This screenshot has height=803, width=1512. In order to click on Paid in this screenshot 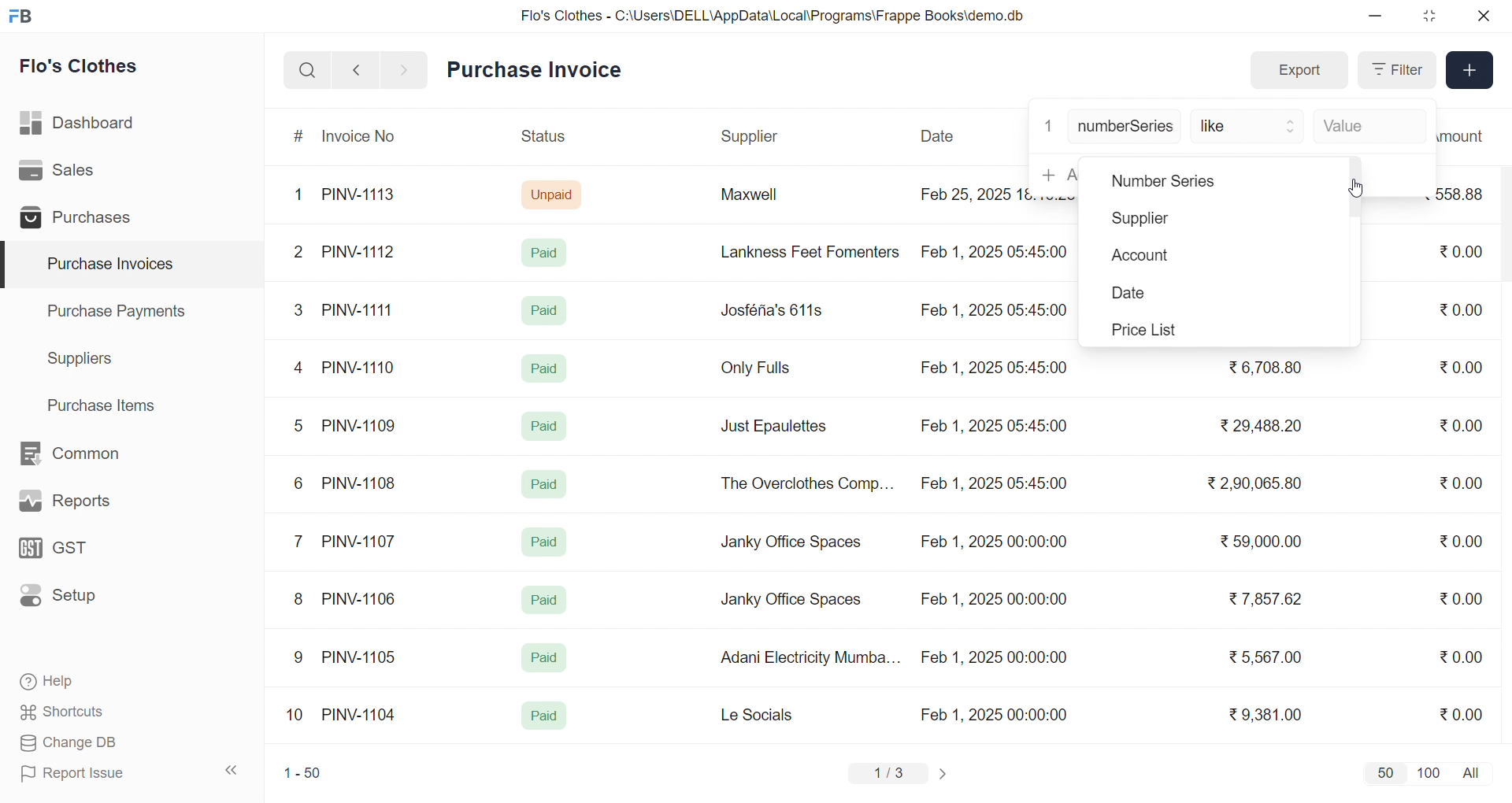, I will do `click(543, 367)`.